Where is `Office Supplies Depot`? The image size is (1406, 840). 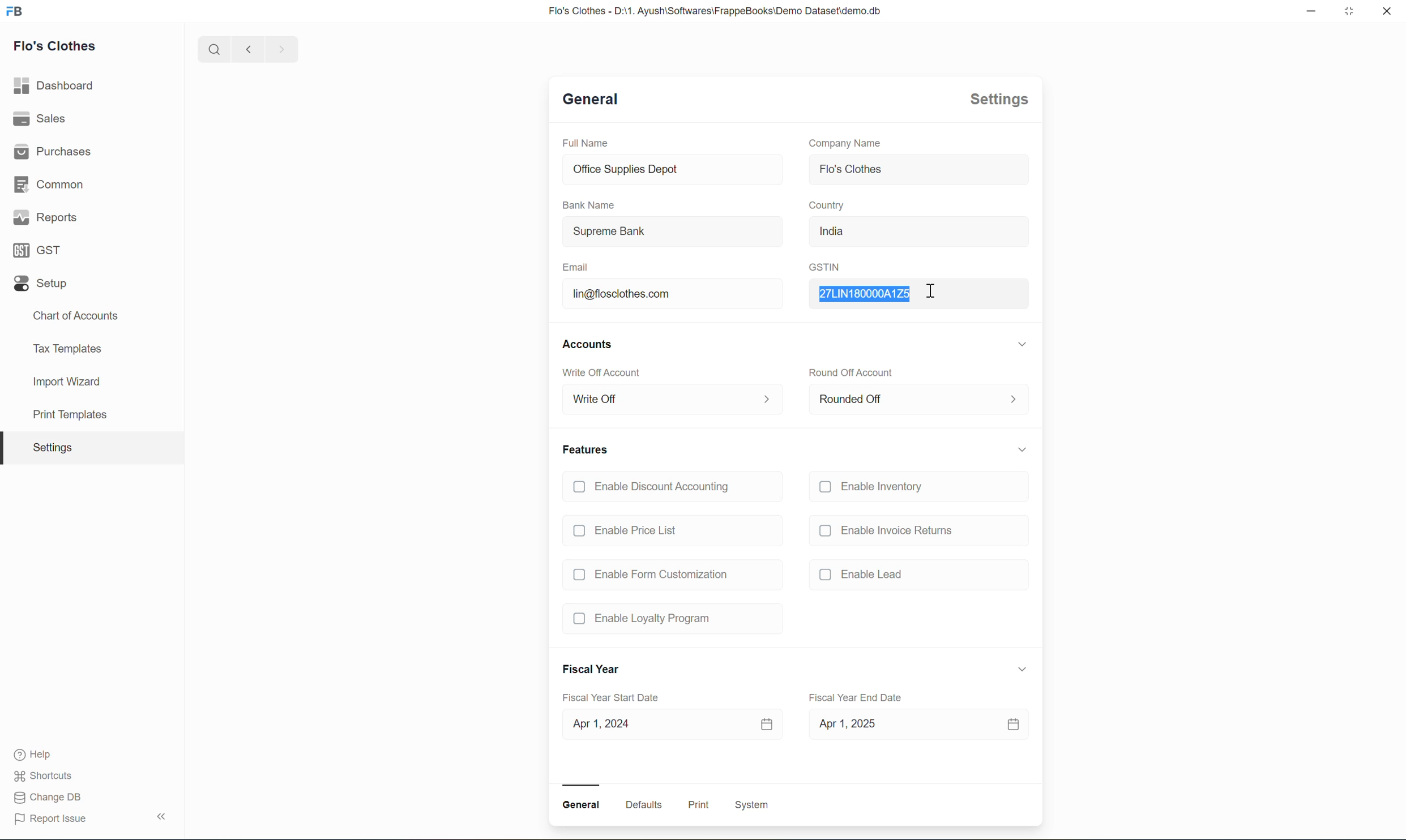 Office Supplies Depot is located at coordinates (673, 169).